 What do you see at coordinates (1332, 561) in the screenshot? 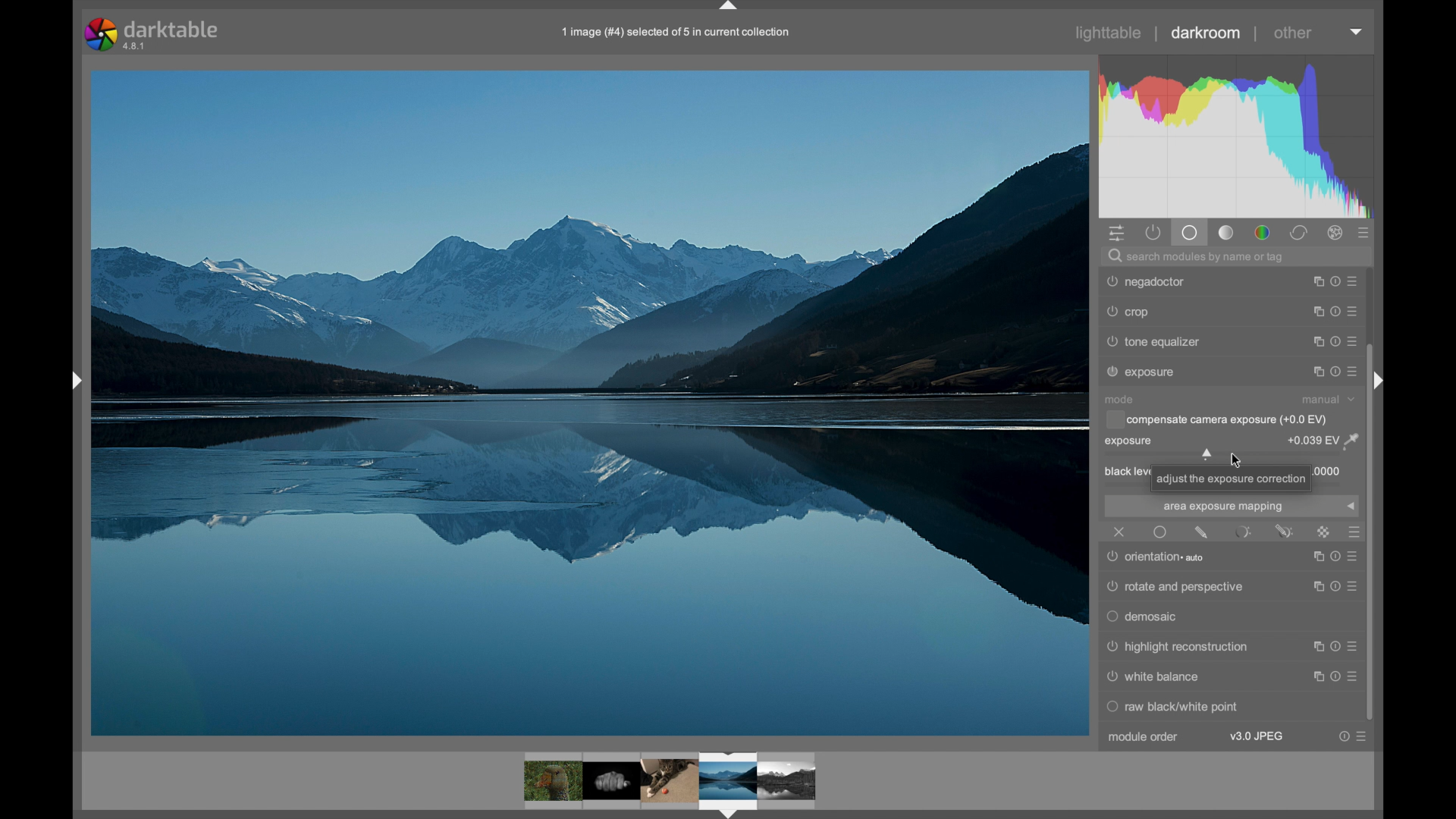
I see `menu` at bounding box center [1332, 561].